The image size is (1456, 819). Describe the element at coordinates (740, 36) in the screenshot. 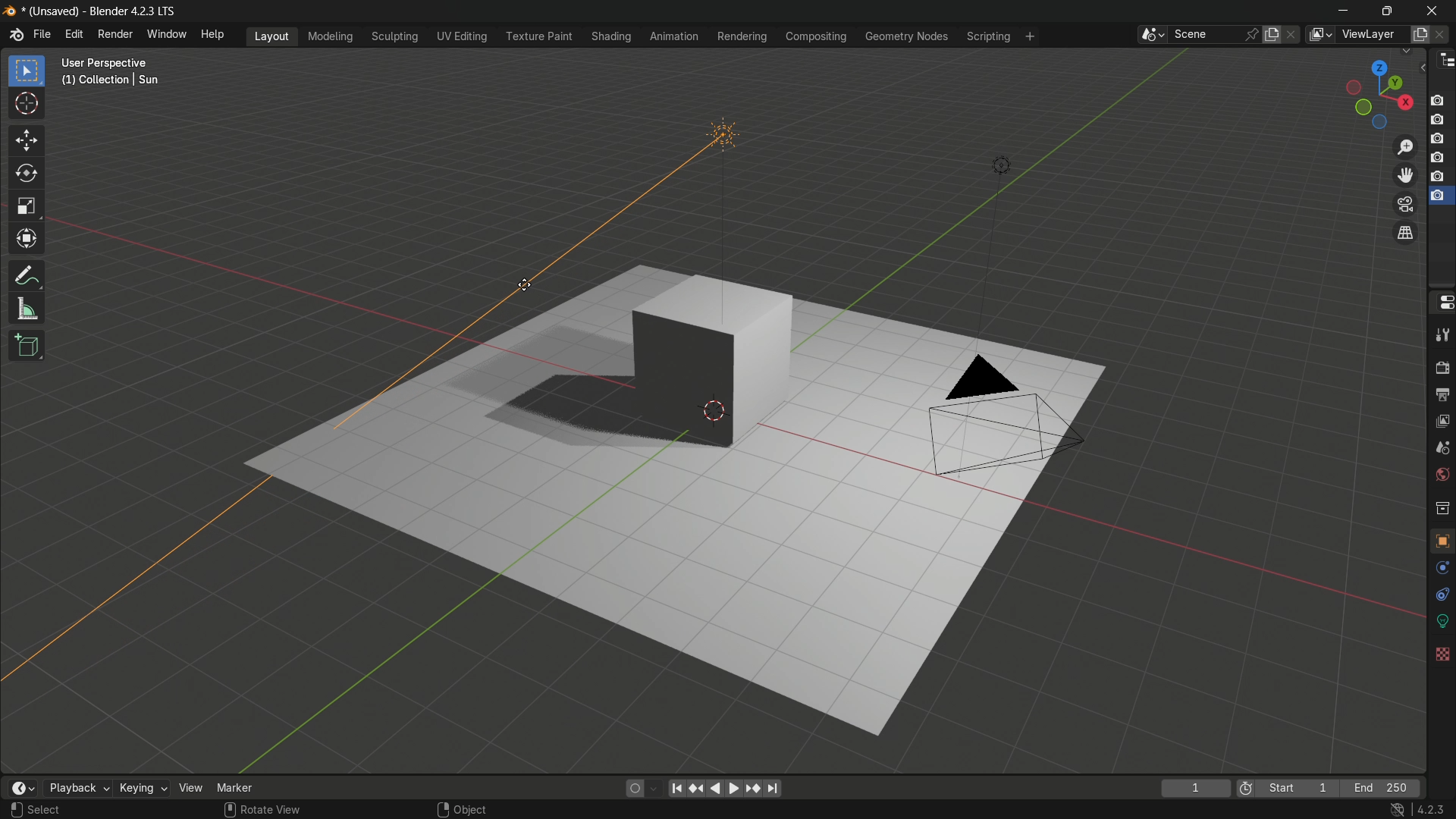

I see `rendering` at that location.